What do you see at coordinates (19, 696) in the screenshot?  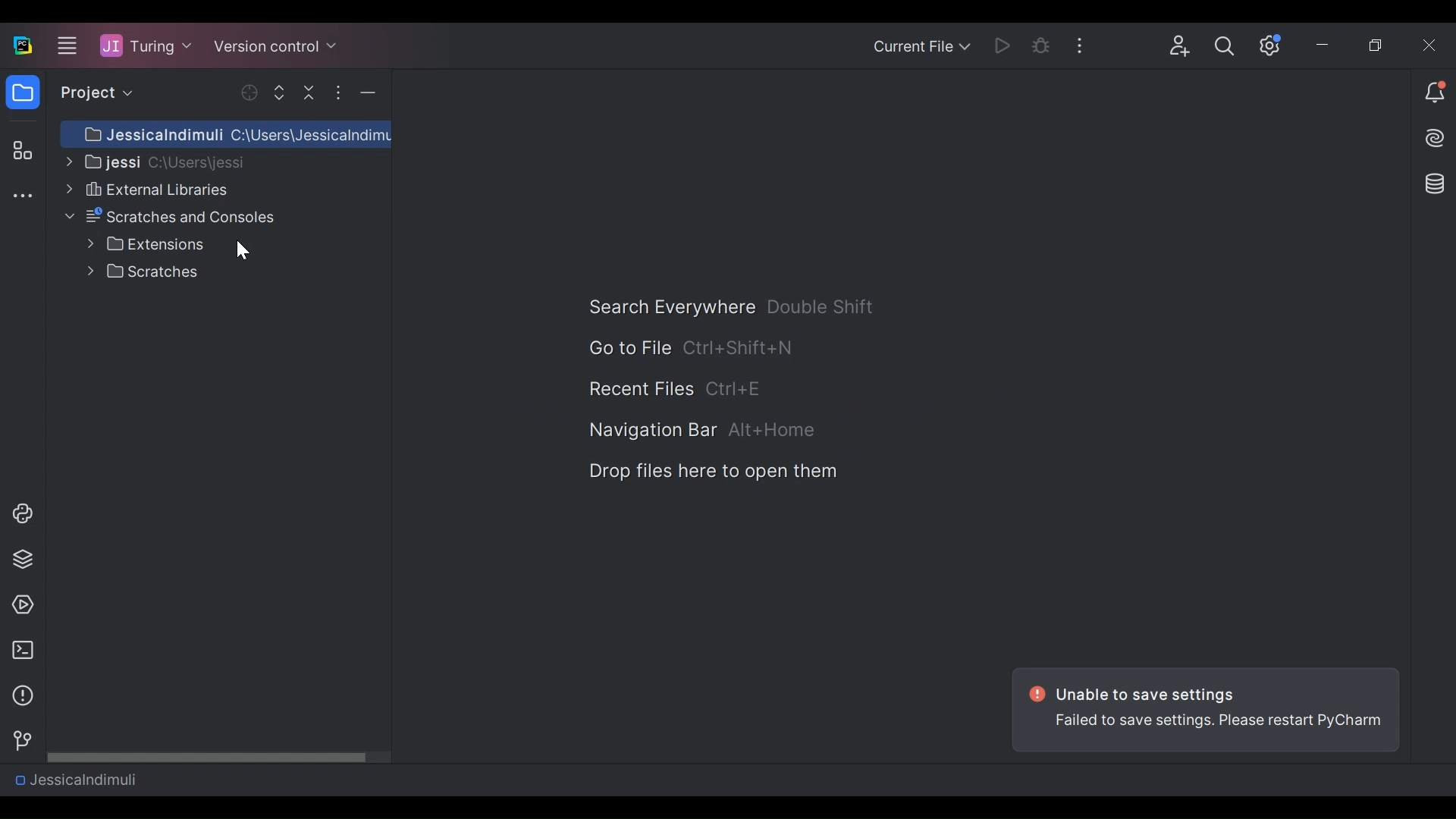 I see `information` at bounding box center [19, 696].